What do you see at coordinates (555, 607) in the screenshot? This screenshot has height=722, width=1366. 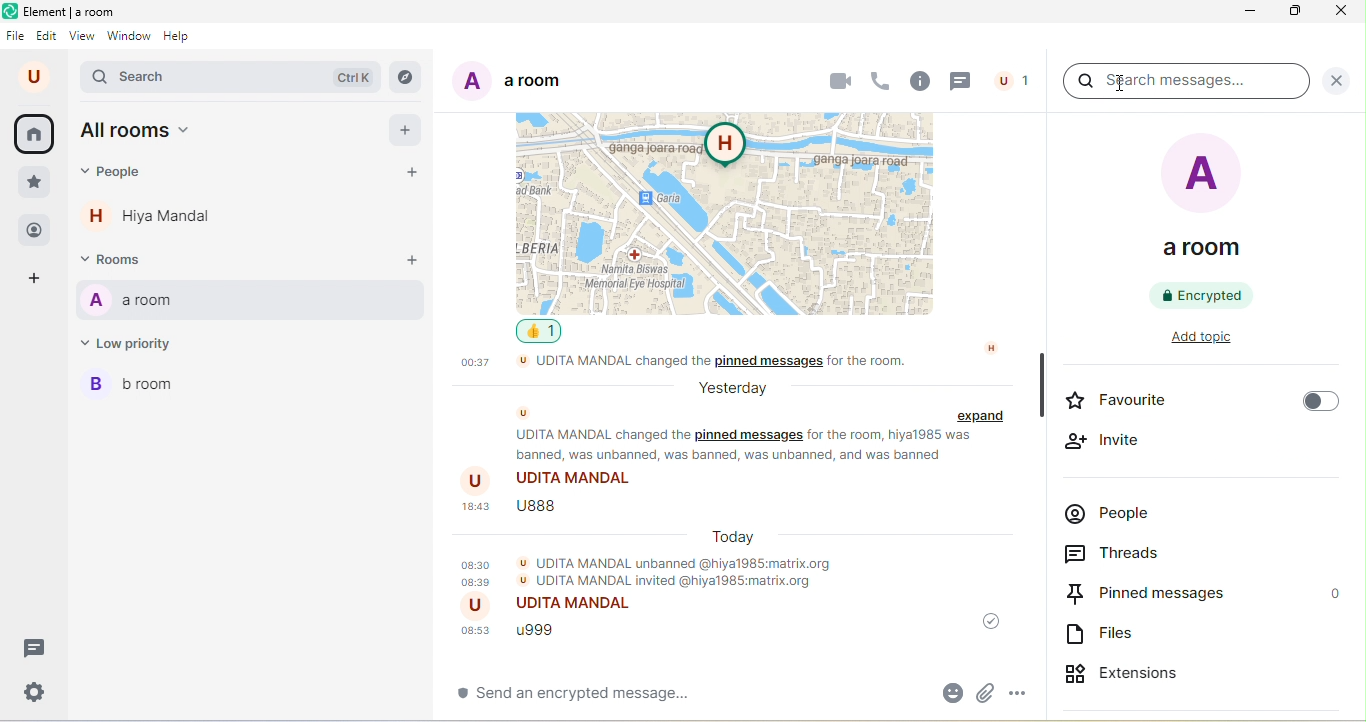 I see `udita mandal` at bounding box center [555, 607].